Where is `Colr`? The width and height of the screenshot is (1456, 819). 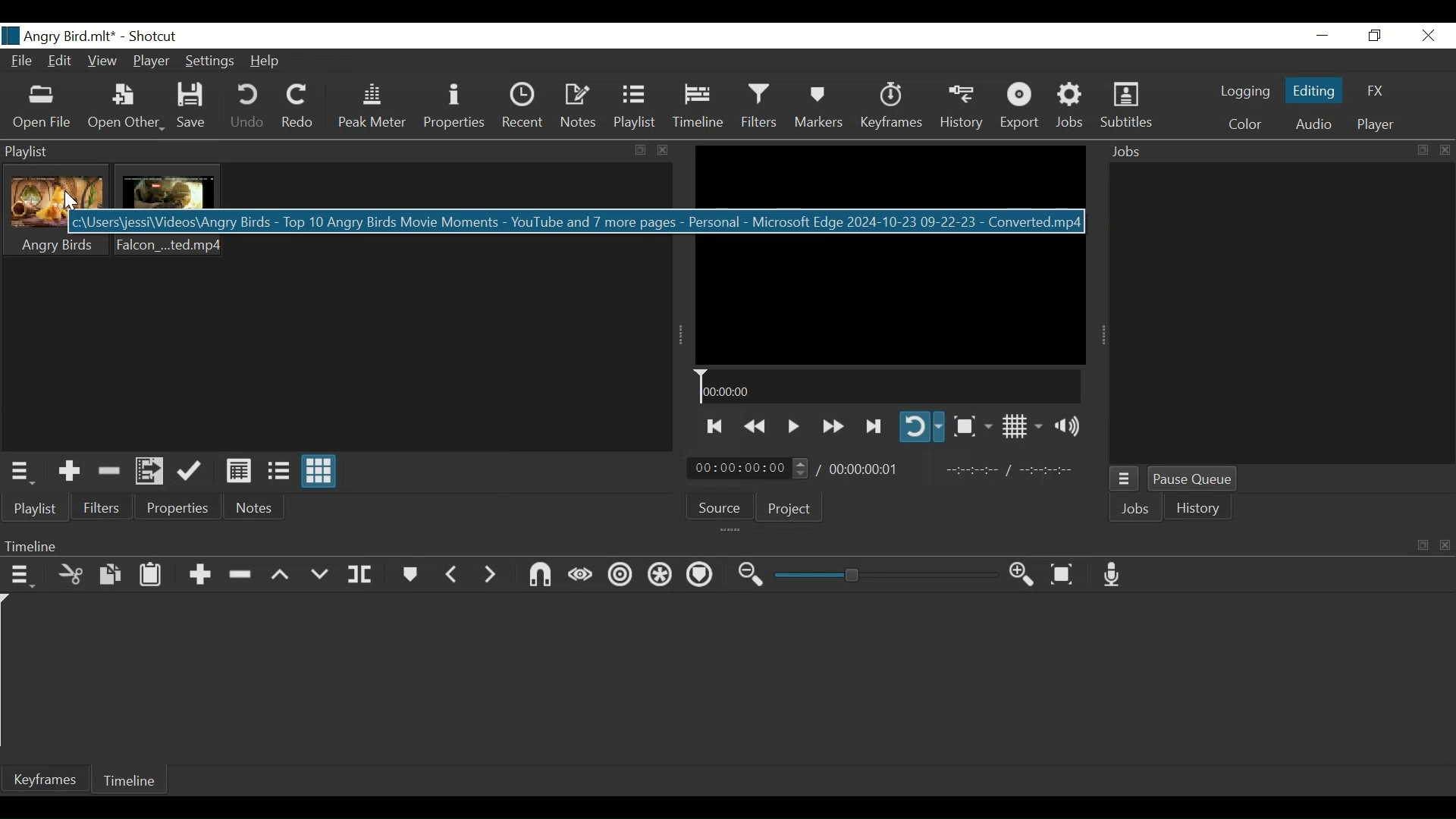
Colr is located at coordinates (1244, 124).